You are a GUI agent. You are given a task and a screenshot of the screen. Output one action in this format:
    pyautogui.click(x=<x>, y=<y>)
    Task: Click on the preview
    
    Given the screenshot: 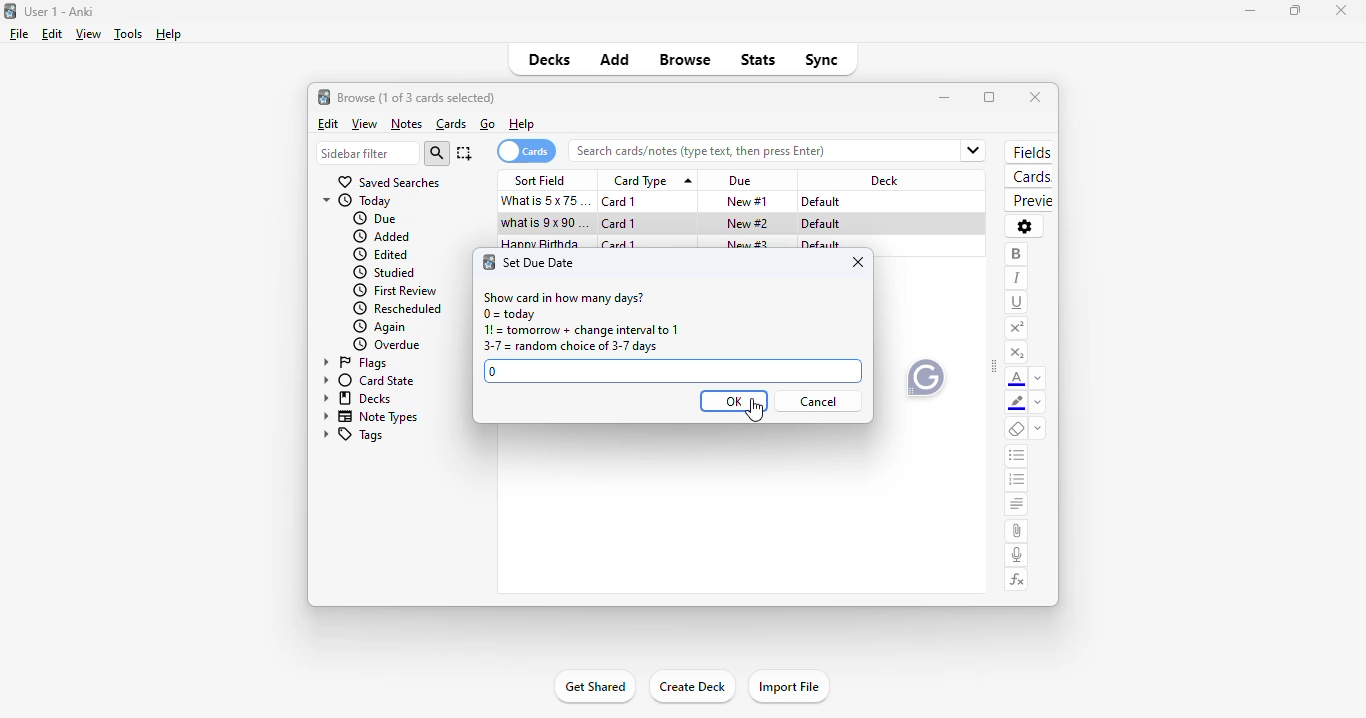 What is the action you would take?
    pyautogui.click(x=1031, y=201)
    